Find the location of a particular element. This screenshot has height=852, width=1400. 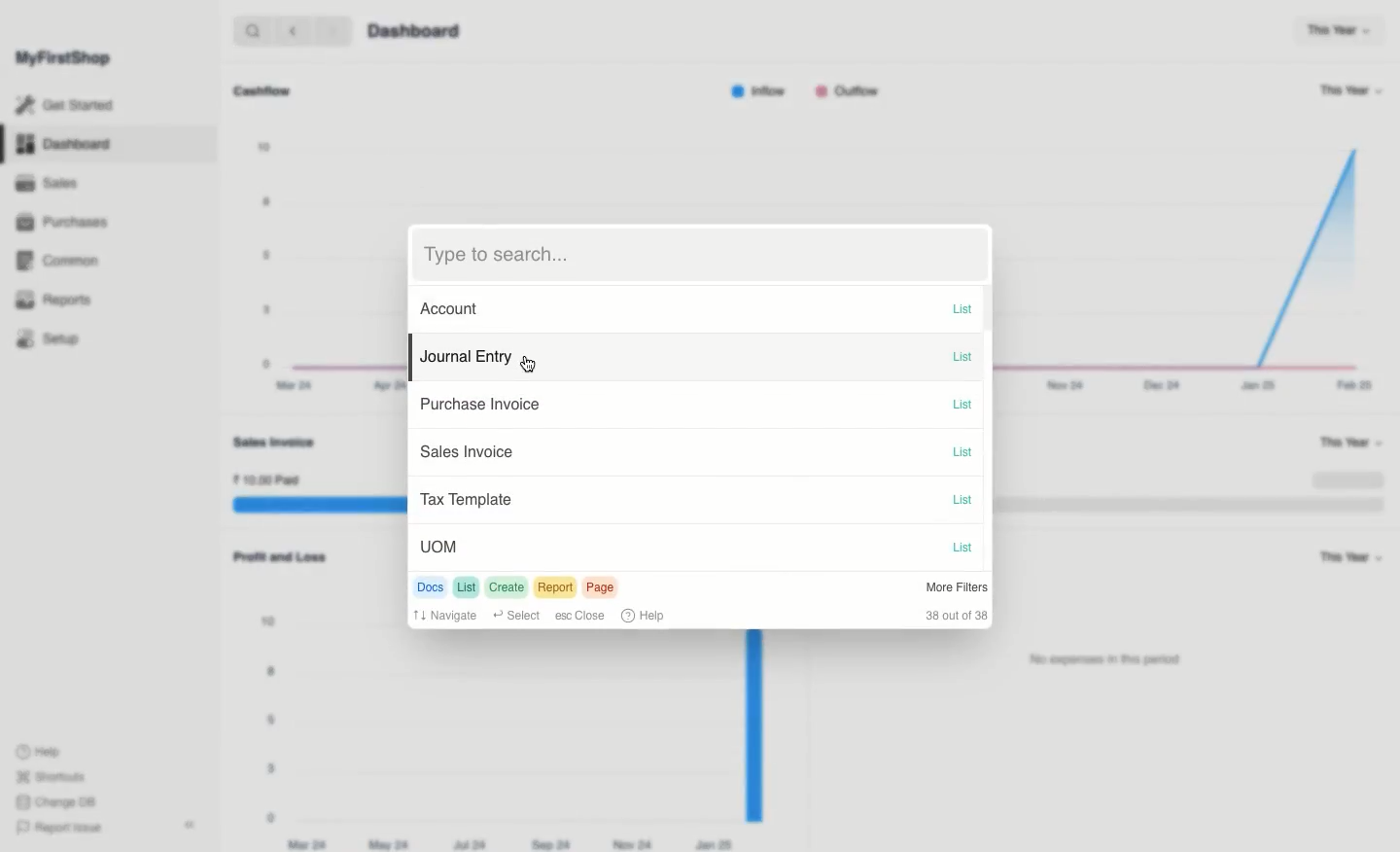

forward > is located at coordinates (331, 33).